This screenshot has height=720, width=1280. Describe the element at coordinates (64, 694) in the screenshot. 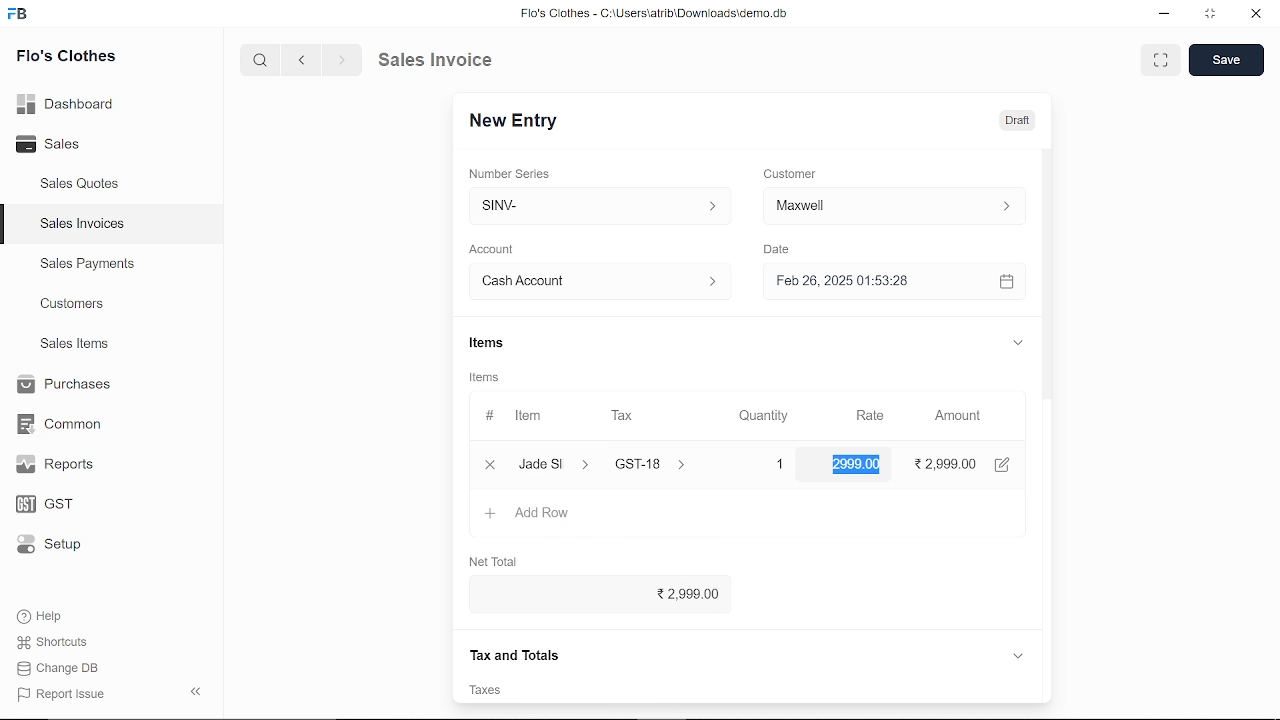

I see `| Report Issue:` at that location.